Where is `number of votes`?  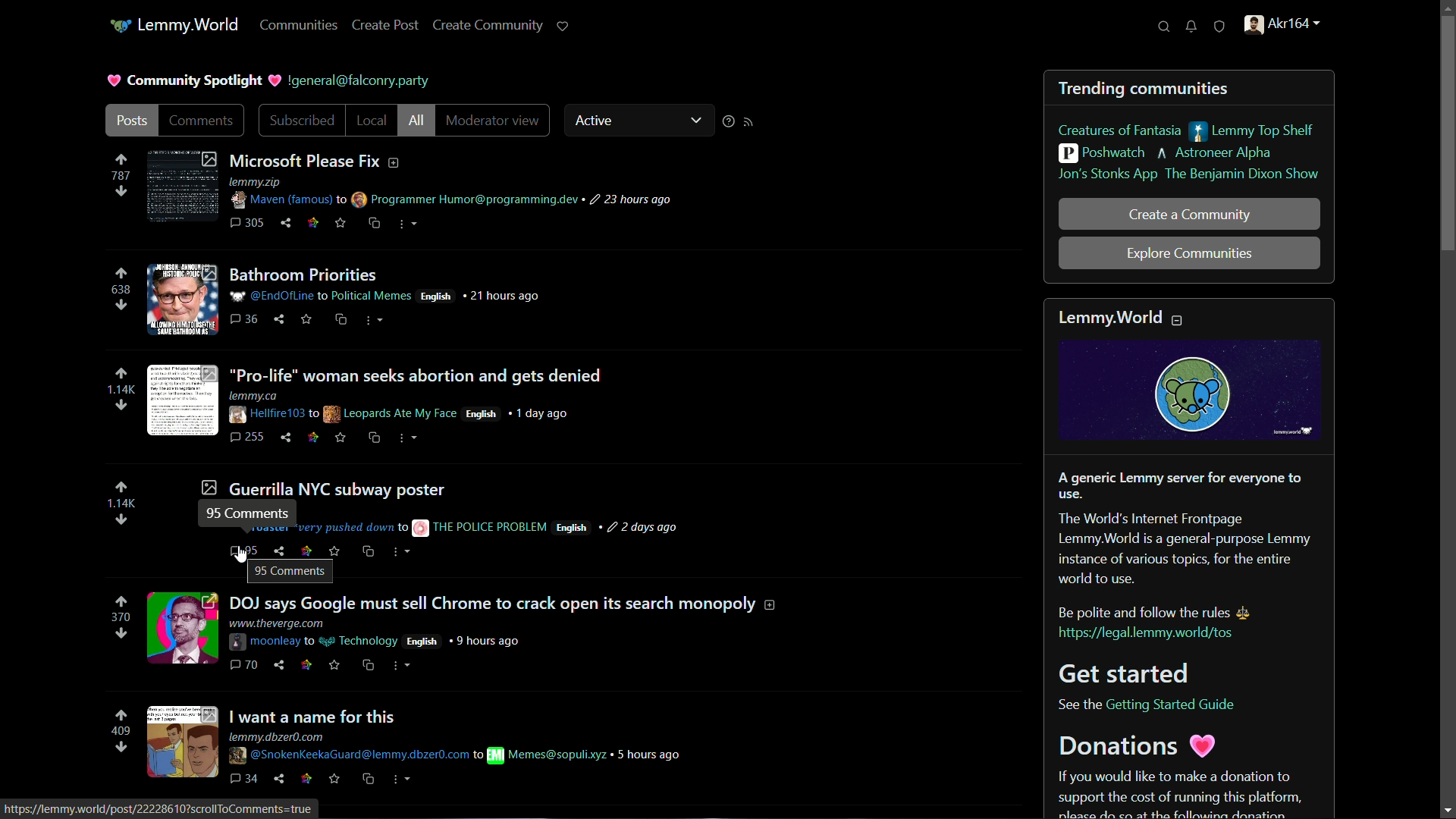 number of votes is located at coordinates (121, 732).